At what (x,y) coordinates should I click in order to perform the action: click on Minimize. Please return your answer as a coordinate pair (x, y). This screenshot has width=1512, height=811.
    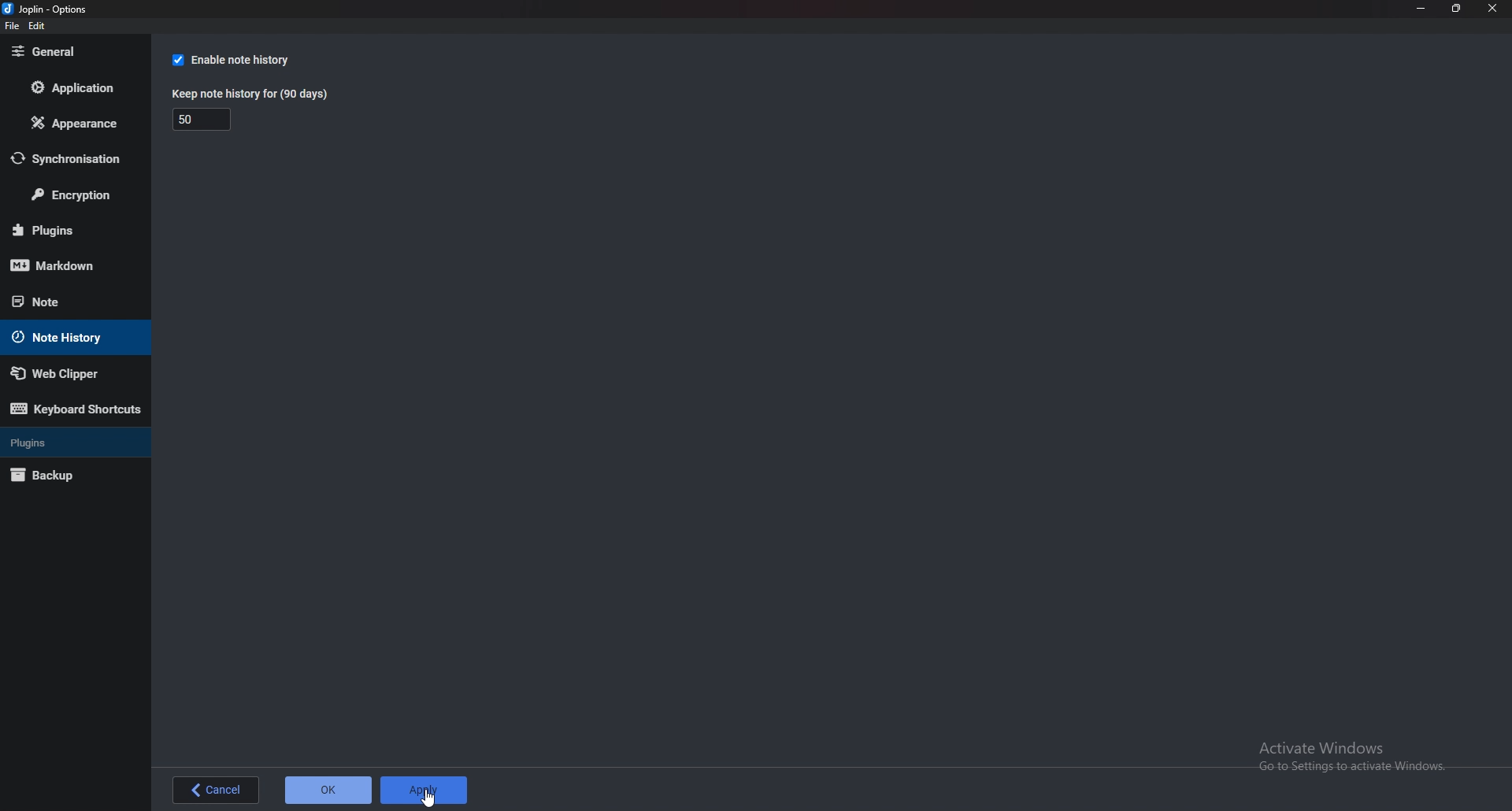
    Looking at the image, I should click on (1420, 9).